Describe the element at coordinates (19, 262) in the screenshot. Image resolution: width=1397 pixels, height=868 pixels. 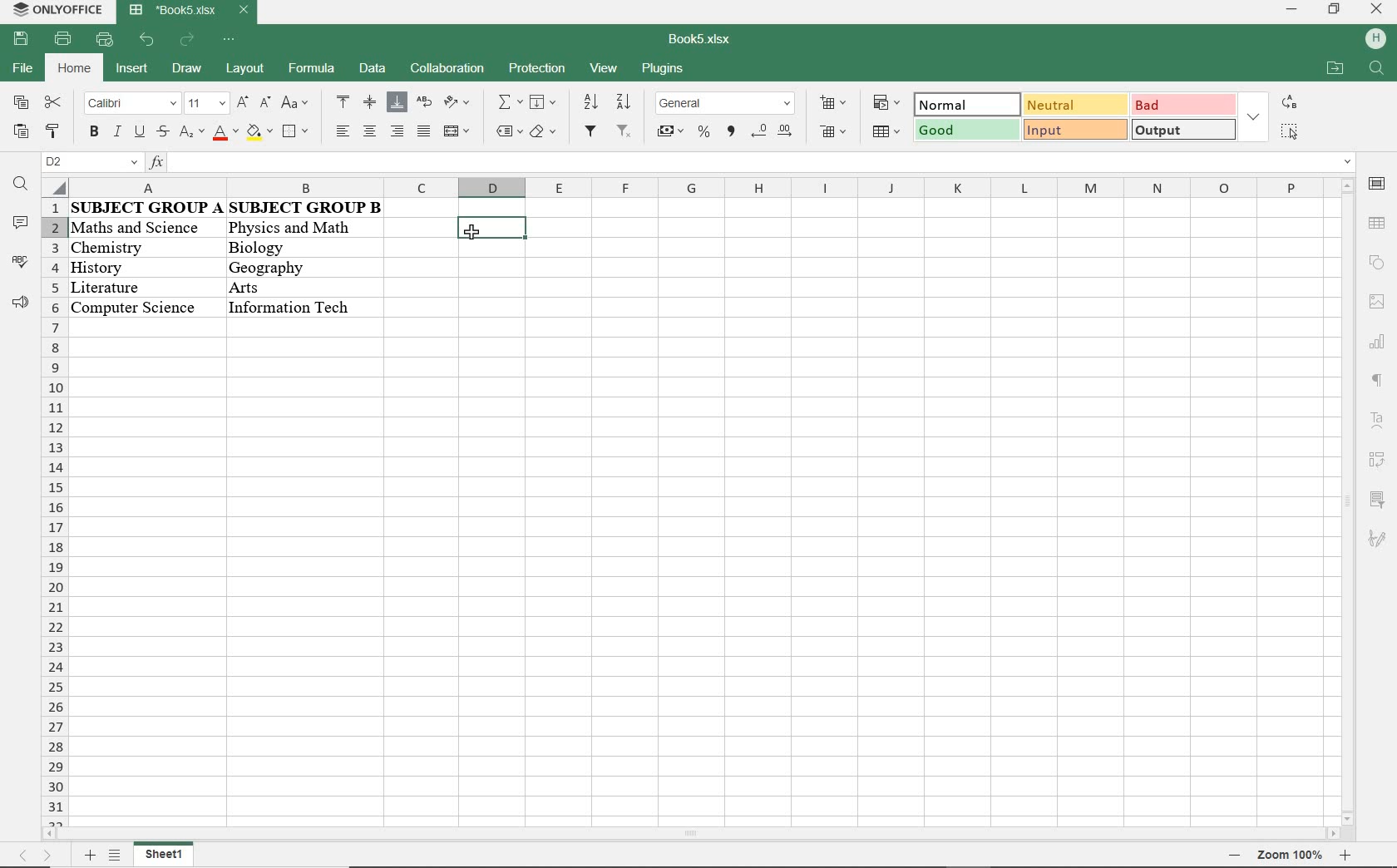
I see `spell checking` at that location.